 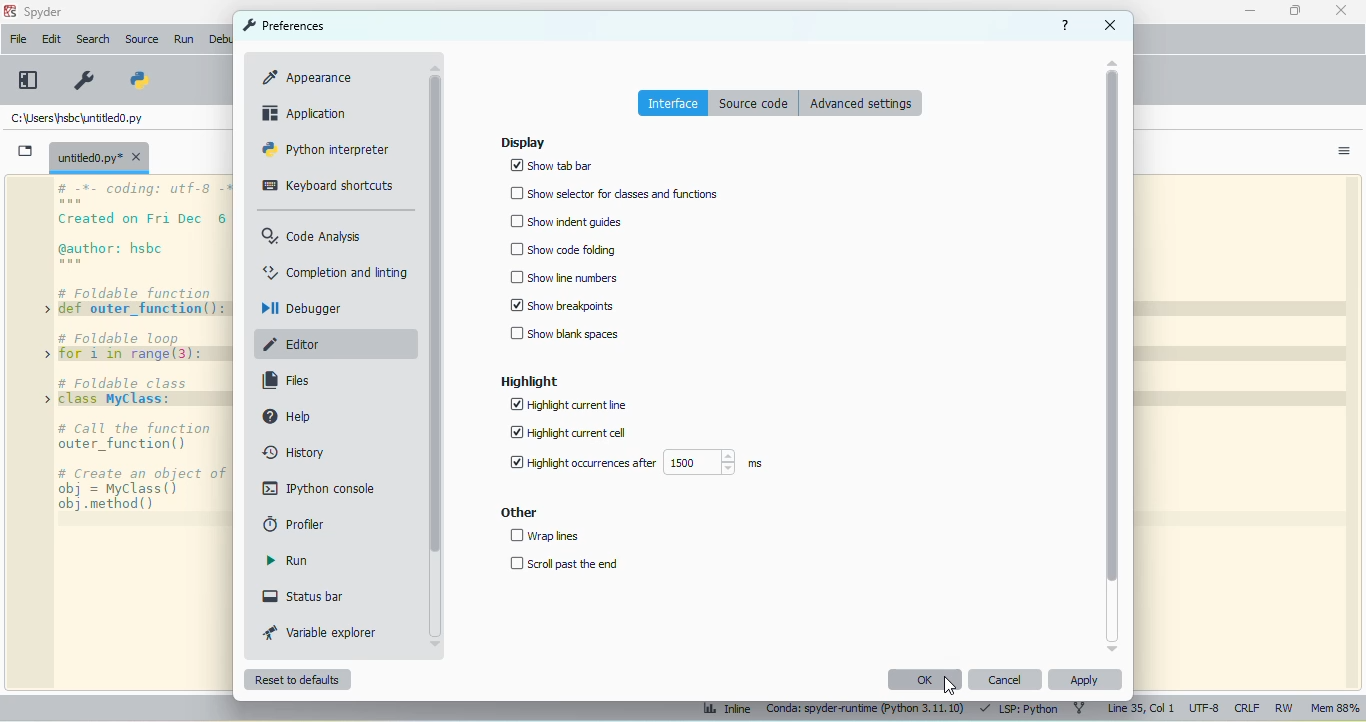 I want to click on files, so click(x=286, y=381).